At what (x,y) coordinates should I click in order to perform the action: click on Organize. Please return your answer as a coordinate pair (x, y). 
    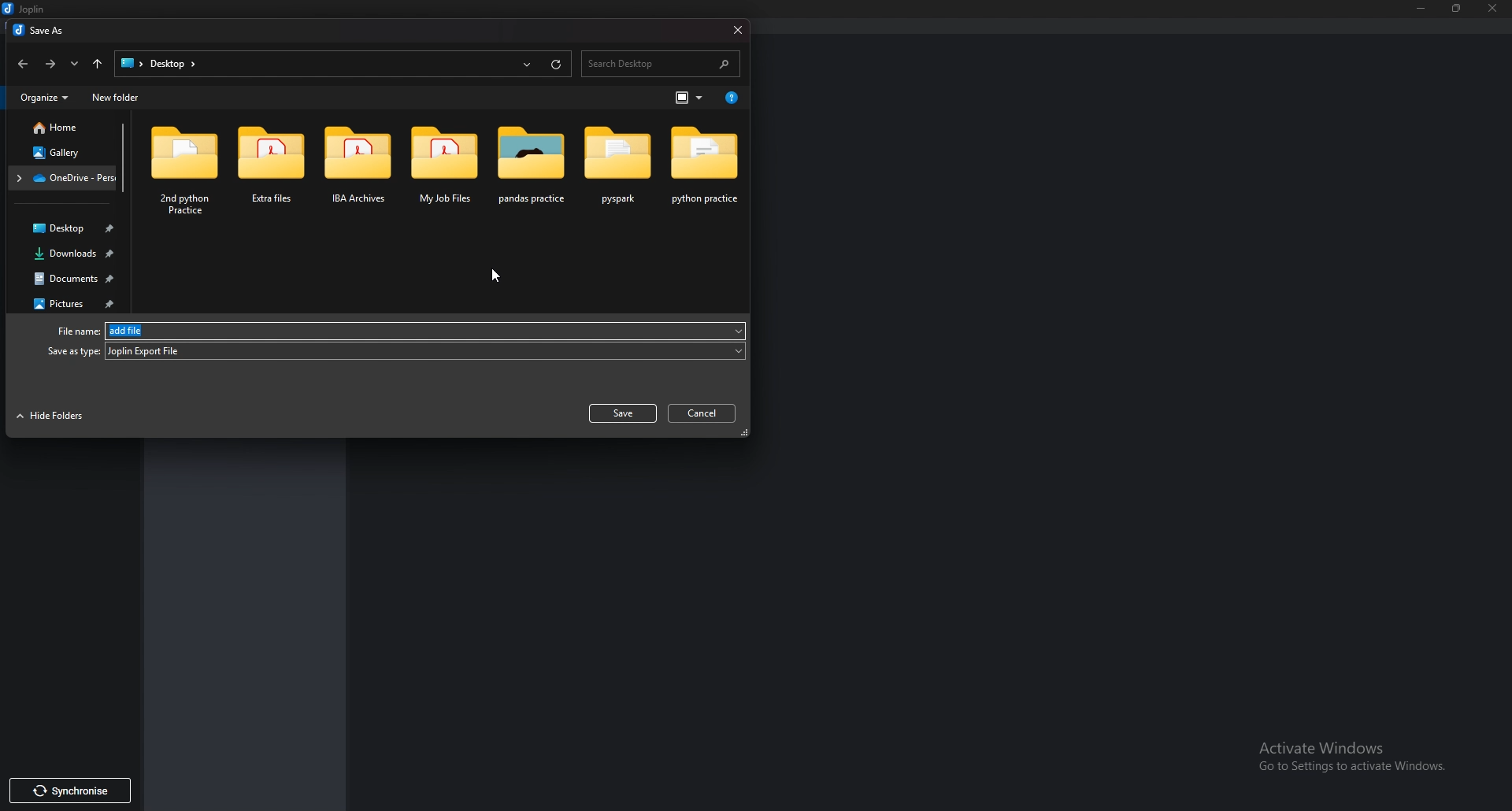
    Looking at the image, I should click on (49, 98).